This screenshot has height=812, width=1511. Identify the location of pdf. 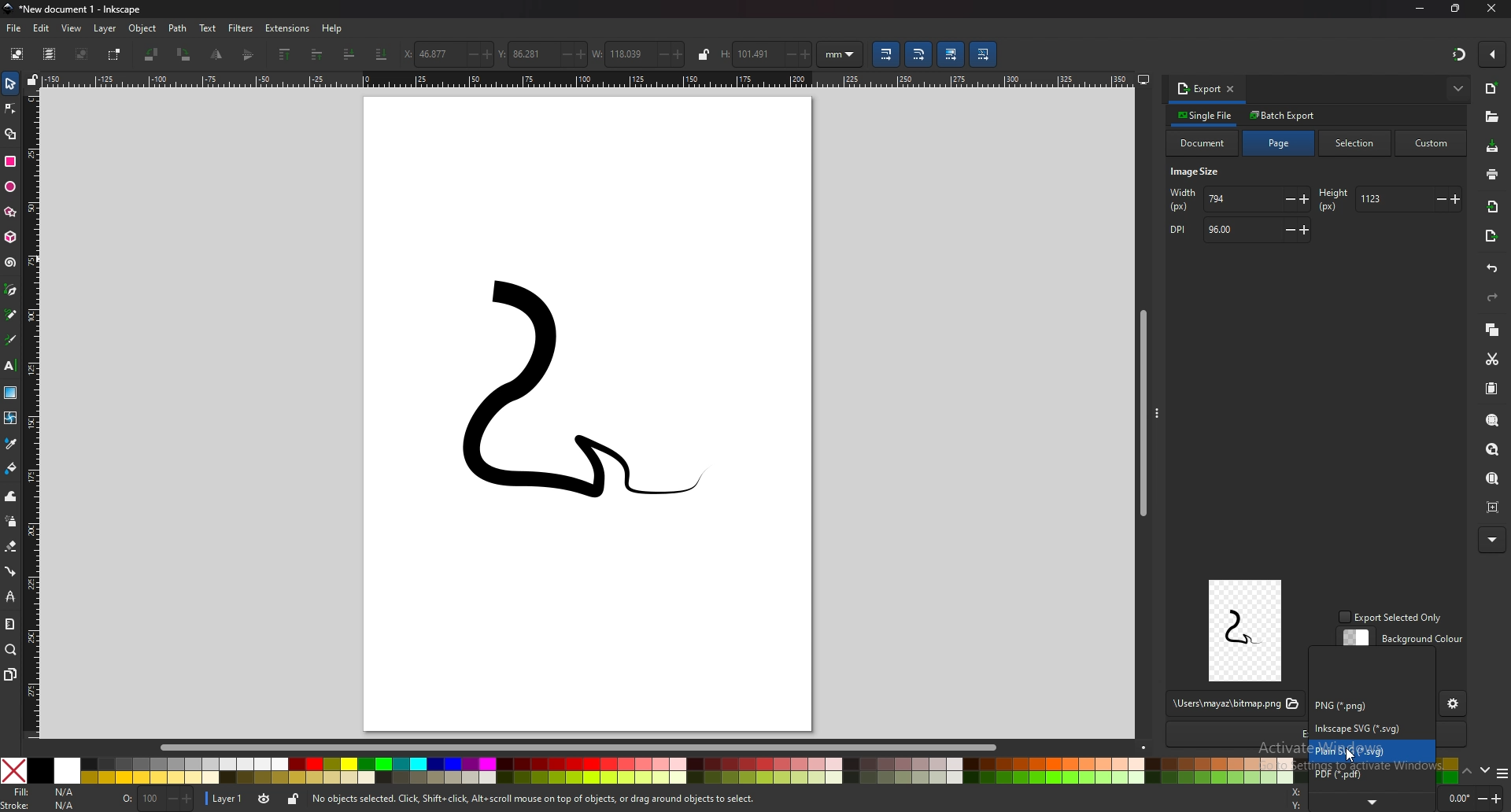
(1372, 774).